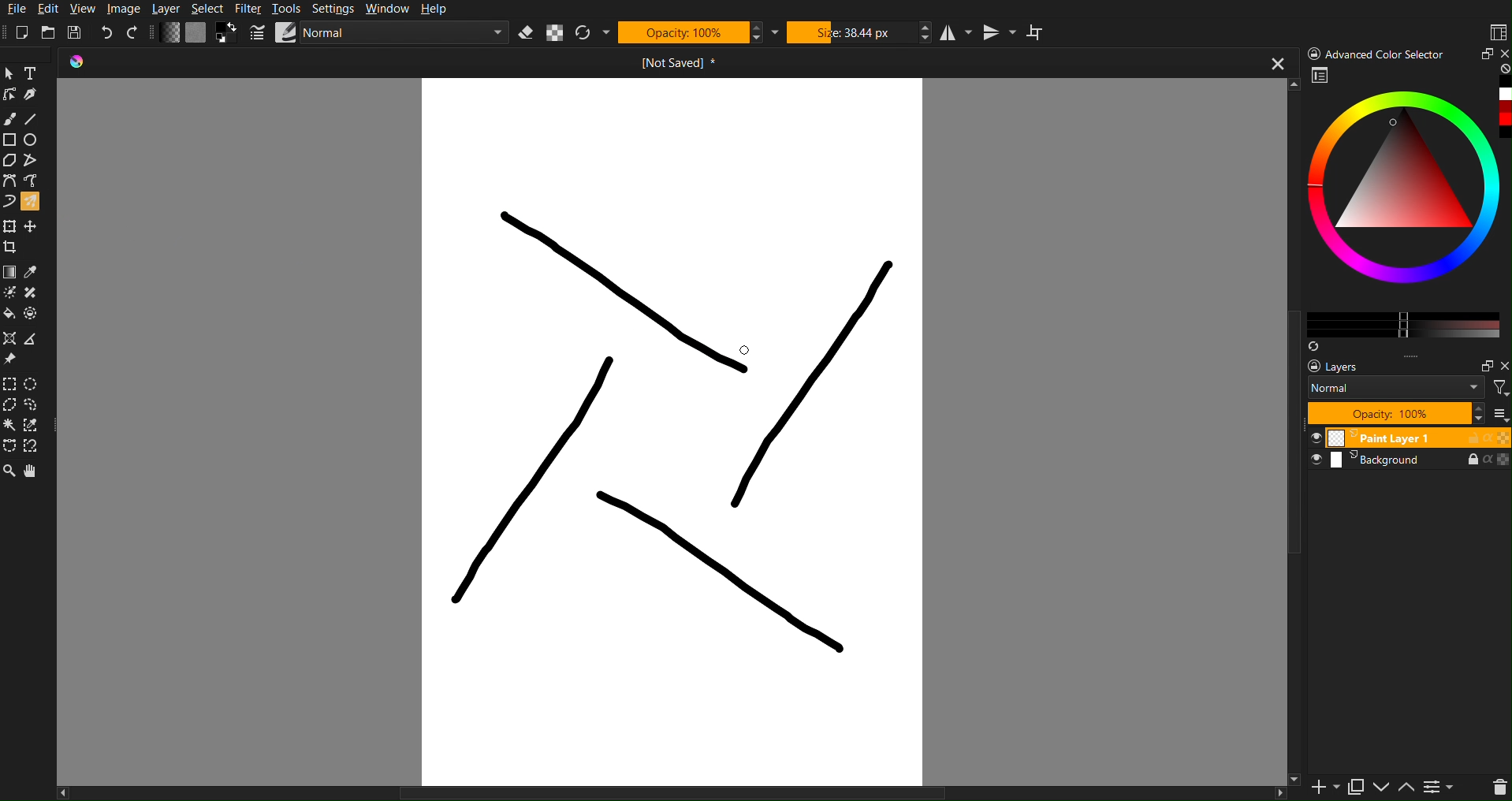 The height and width of the screenshot is (801, 1512). I want to click on Settings, so click(336, 9).